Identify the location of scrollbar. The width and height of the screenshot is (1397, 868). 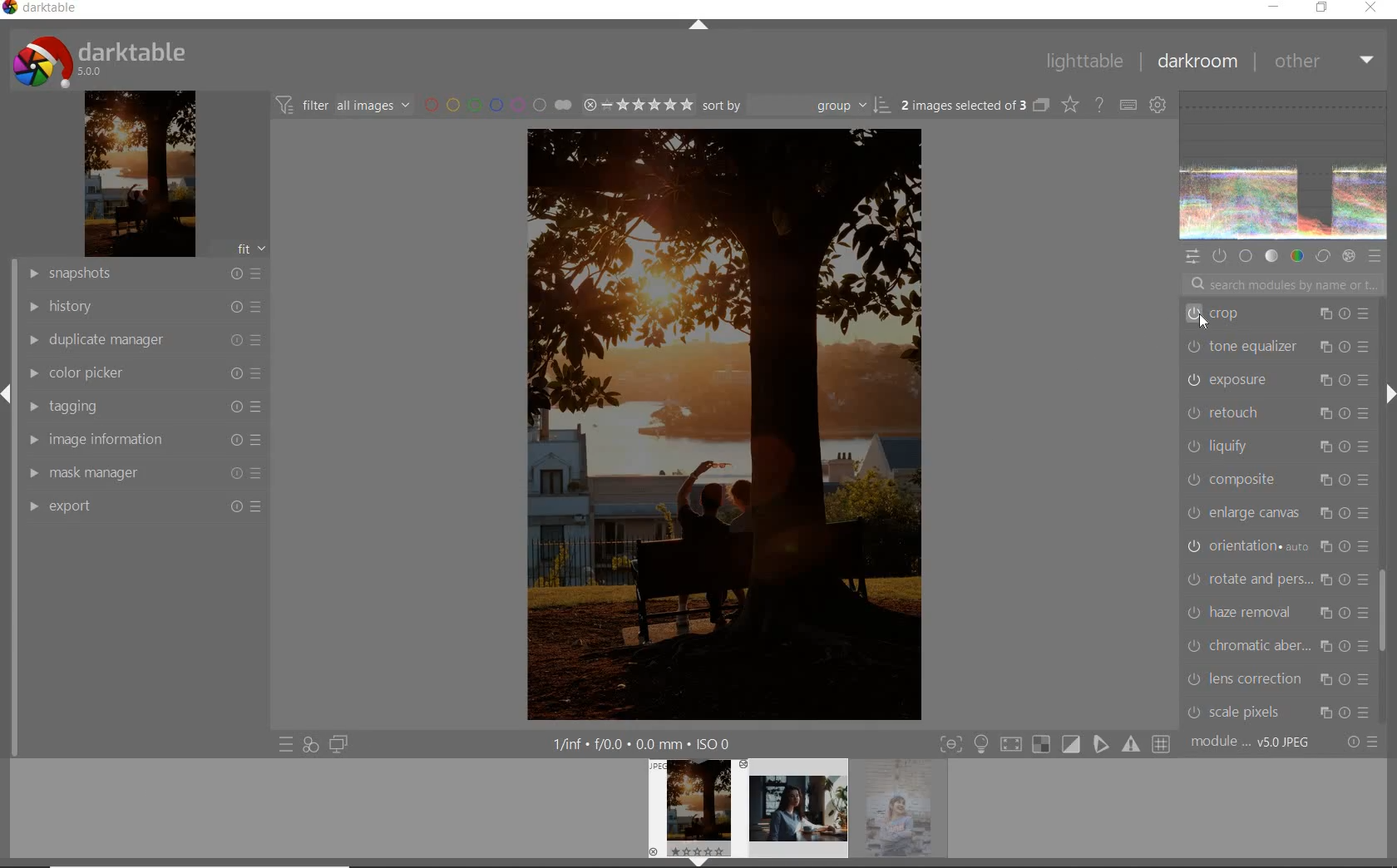
(1386, 610).